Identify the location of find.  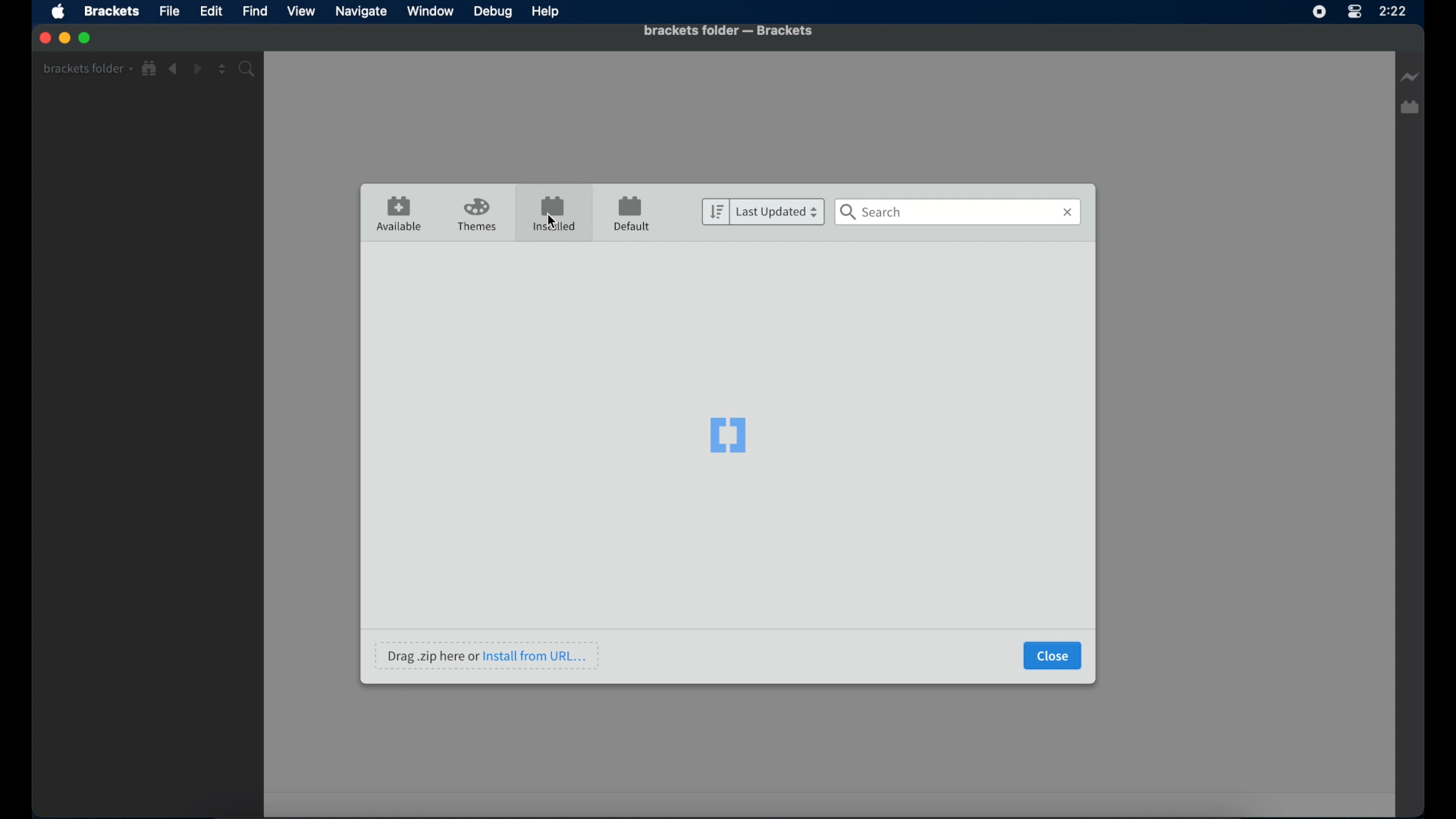
(256, 11).